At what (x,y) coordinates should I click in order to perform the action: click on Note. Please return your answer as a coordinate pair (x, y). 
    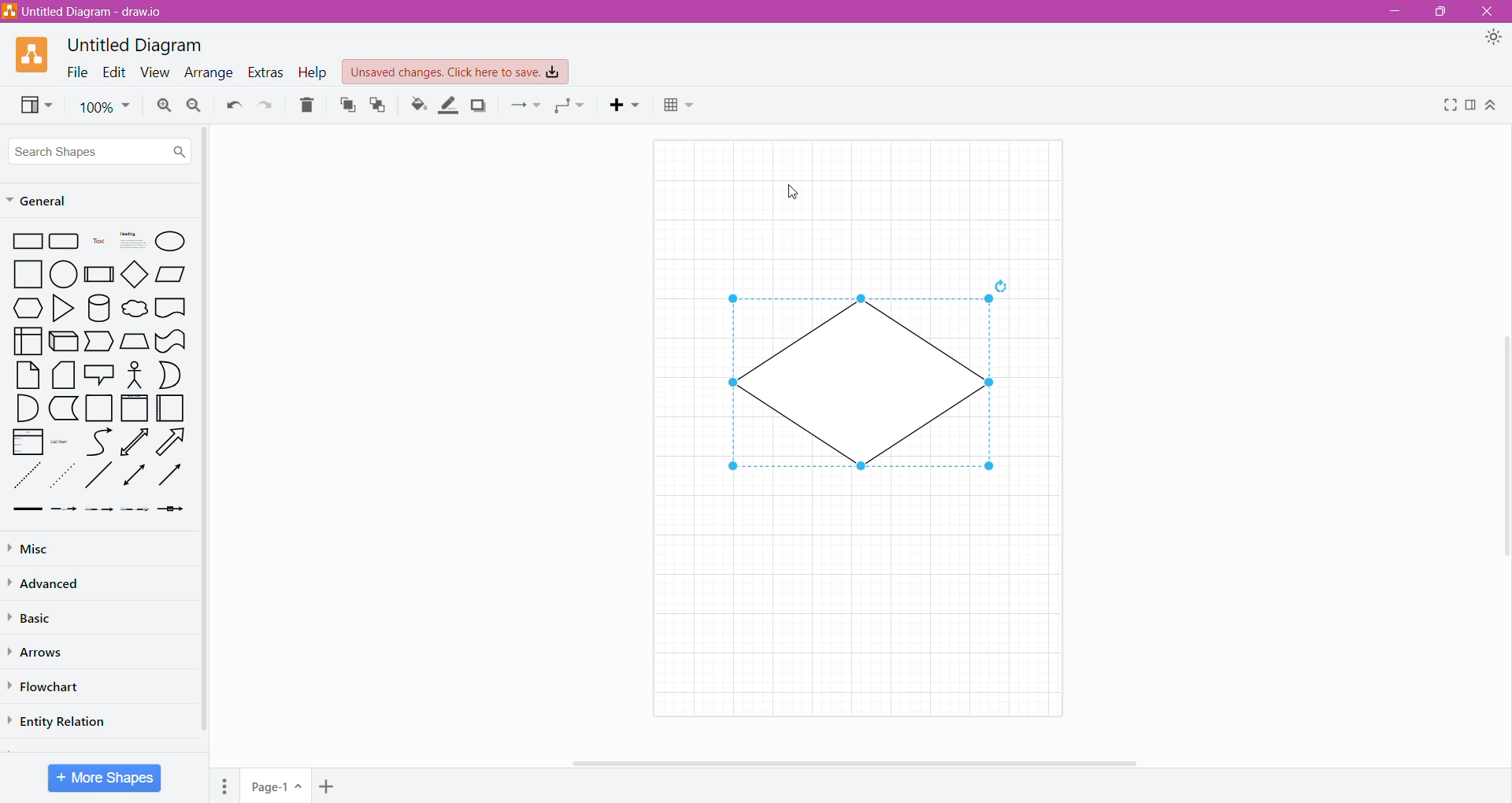
    Looking at the image, I should click on (28, 375).